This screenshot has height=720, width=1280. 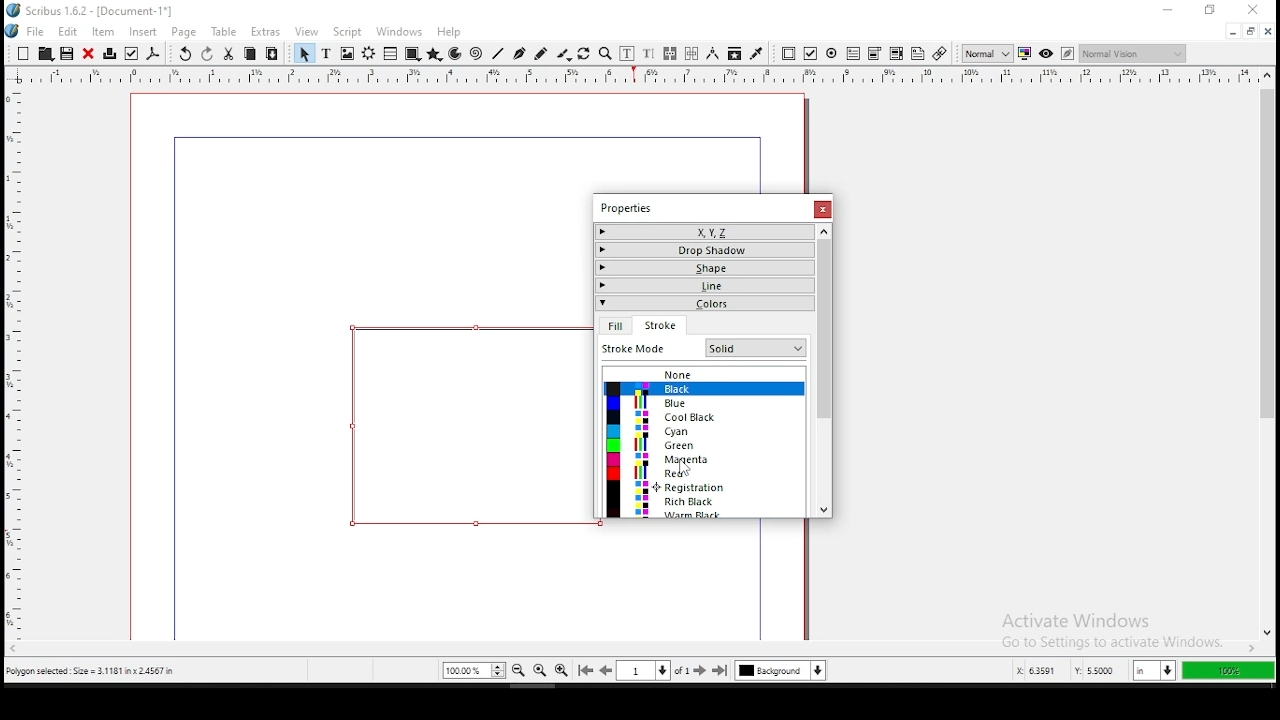 What do you see at coordinates (1250, 33) in the screenshot?
I see `restore` at bounding box center [1250, 33].